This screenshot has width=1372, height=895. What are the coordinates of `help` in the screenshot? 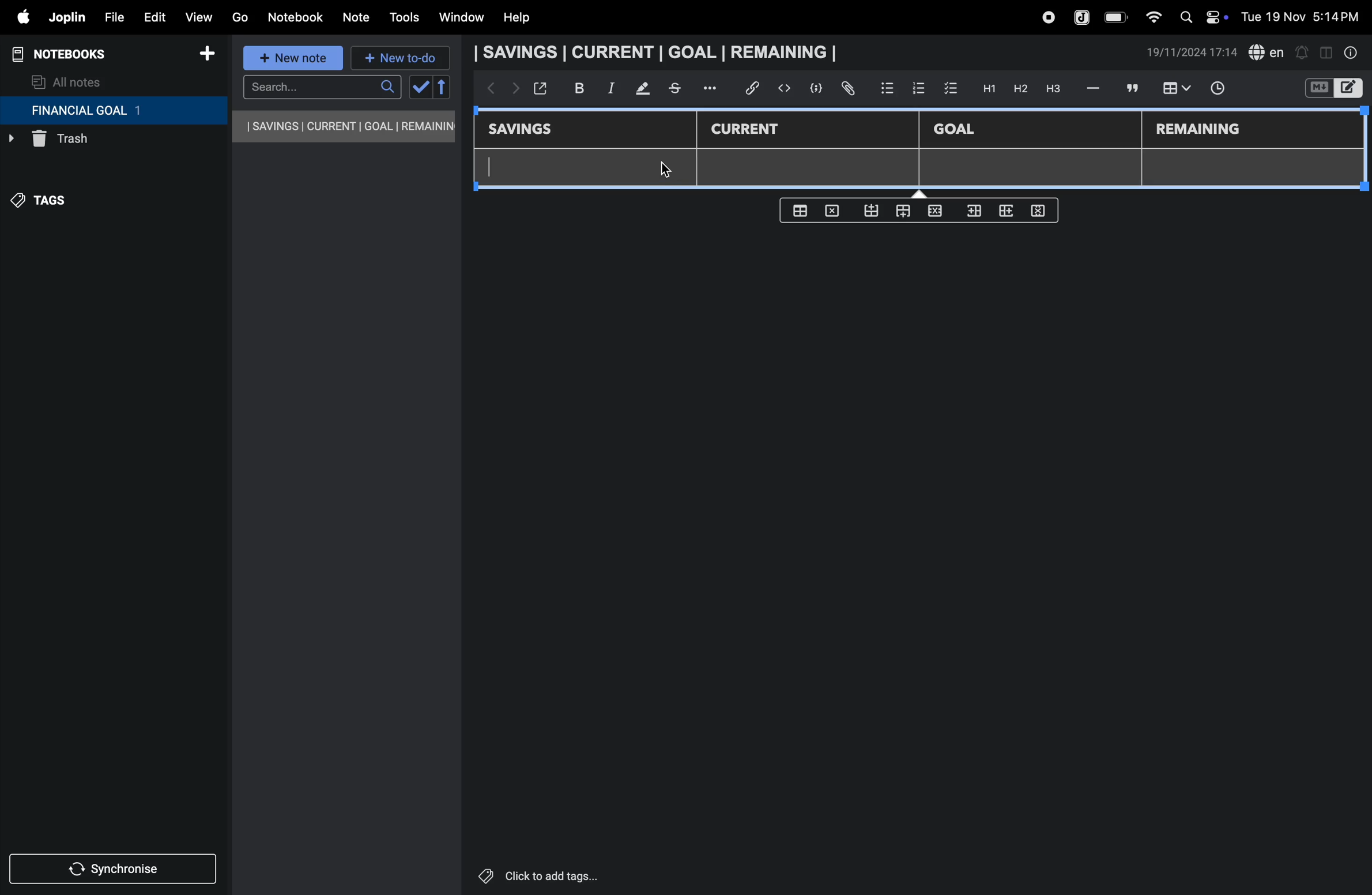 It's located at (525, 18).